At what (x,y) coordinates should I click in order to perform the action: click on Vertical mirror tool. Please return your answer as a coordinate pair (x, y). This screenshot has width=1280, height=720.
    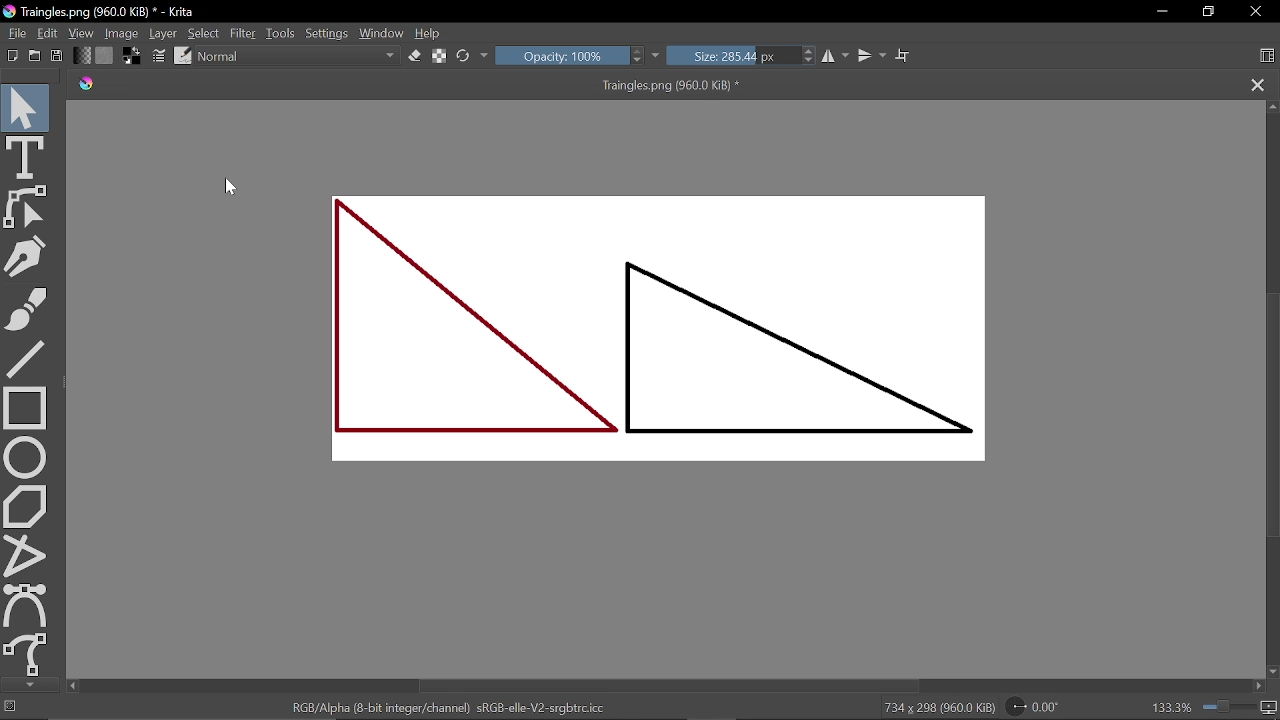
    Looking at the image, I should click on (873, 57).